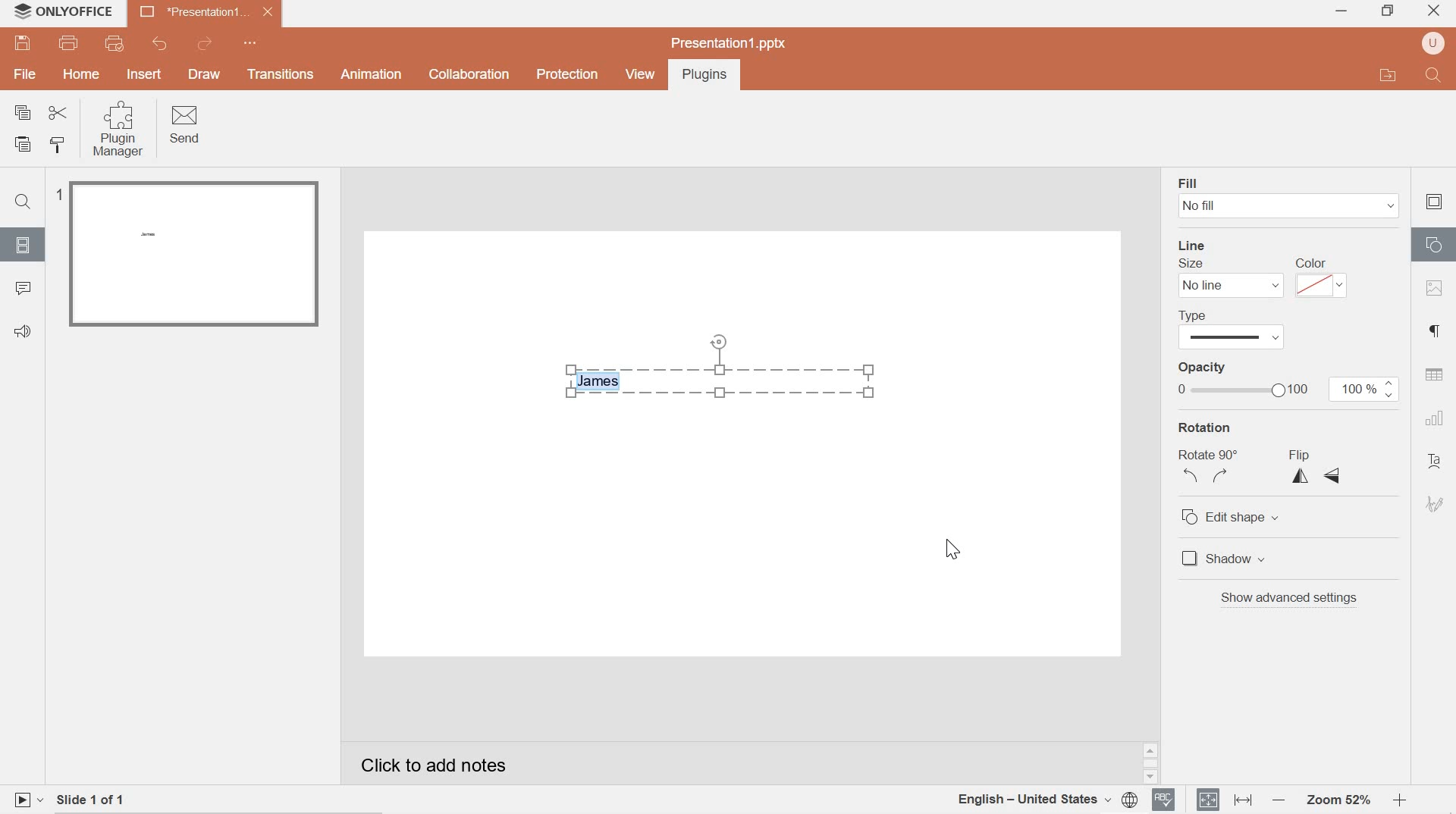  Describe the element at coordinates (207, 76) in the screenshot. I see `DRAW` at that location.